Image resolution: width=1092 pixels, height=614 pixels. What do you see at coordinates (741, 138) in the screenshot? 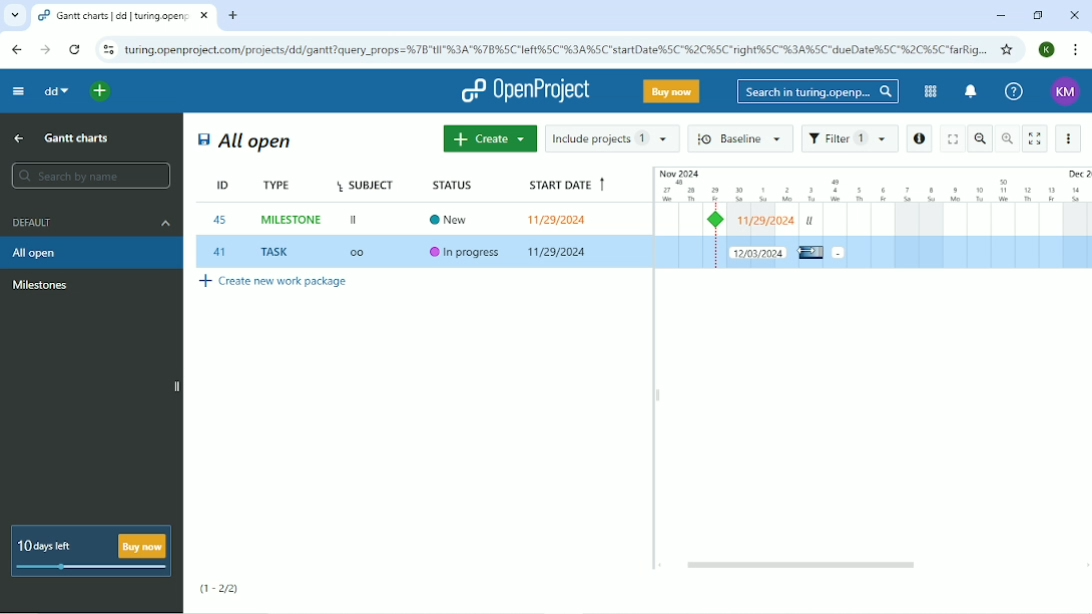
I see `Baseline` at bounding box center [741, 138].